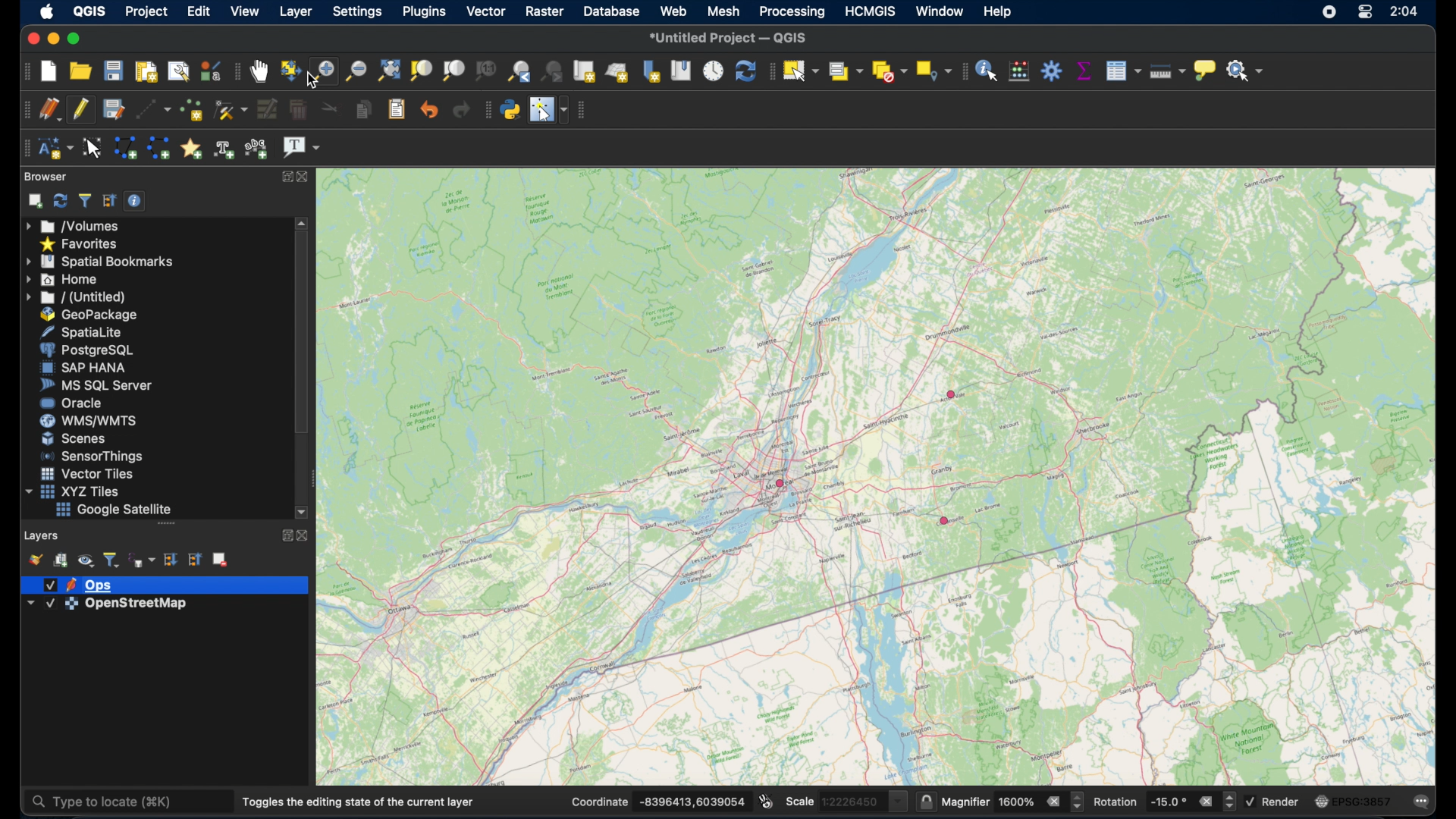 The image size is (1456, 819). What do you see at coordinates (112, 110) in the screenshot?
I see `save layer edits` at bounding box center [112, 110].